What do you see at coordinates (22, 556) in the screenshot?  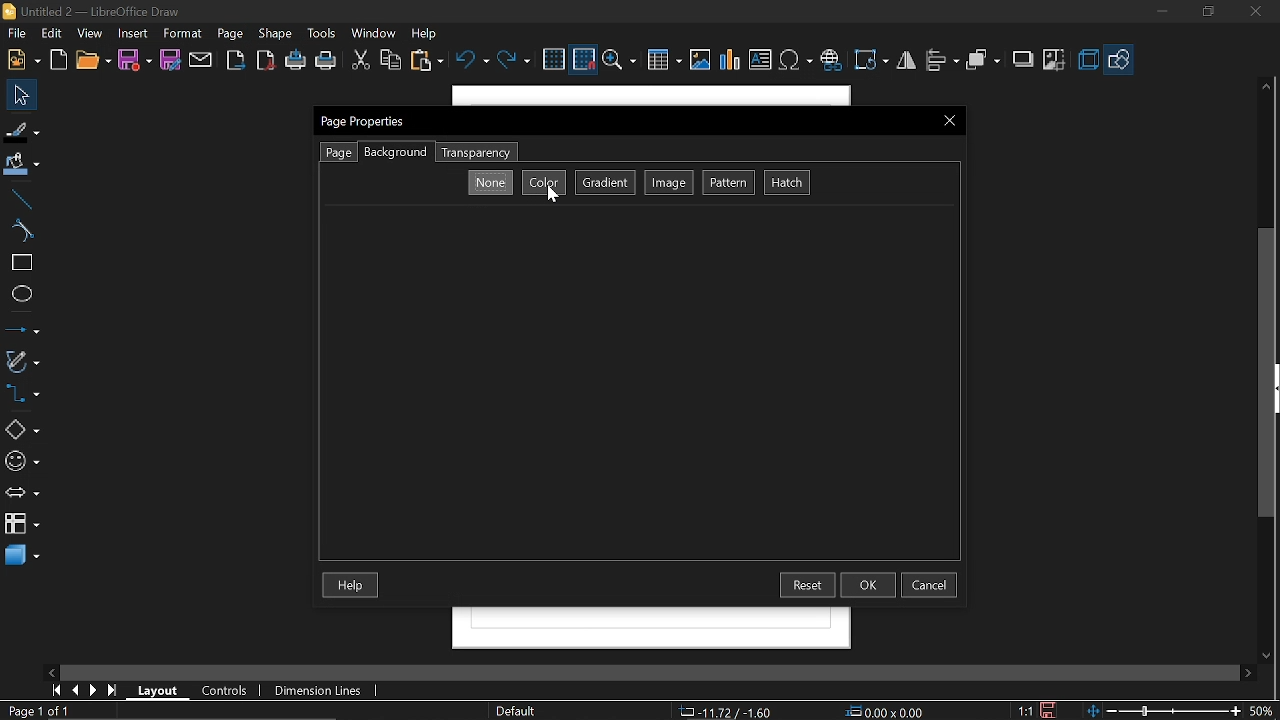 I see `3d shapes` at bounding box center [22, 556].